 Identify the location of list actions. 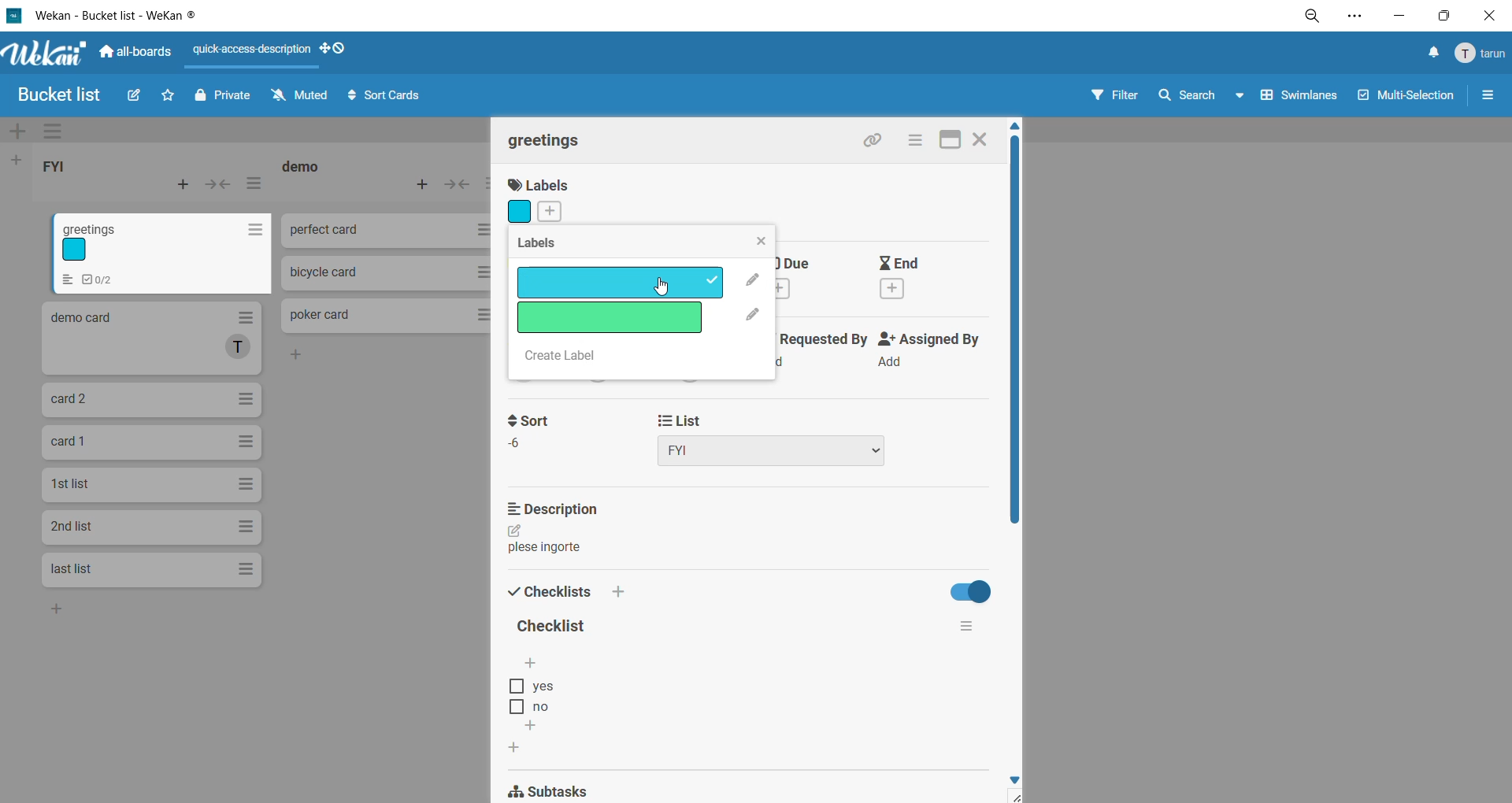
(254, 184).